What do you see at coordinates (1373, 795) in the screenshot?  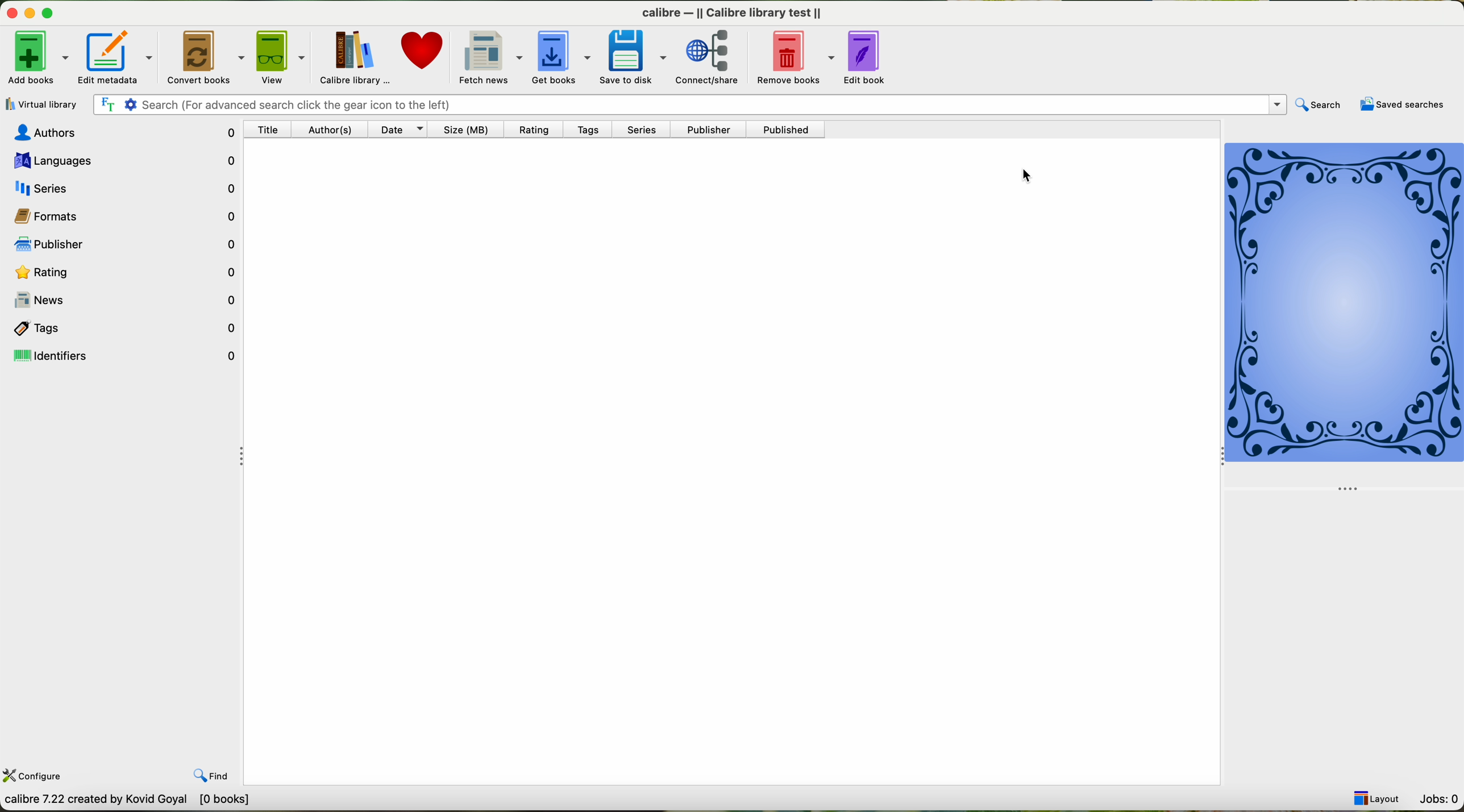 I see `Layout` at bounding box center [1373, 795].